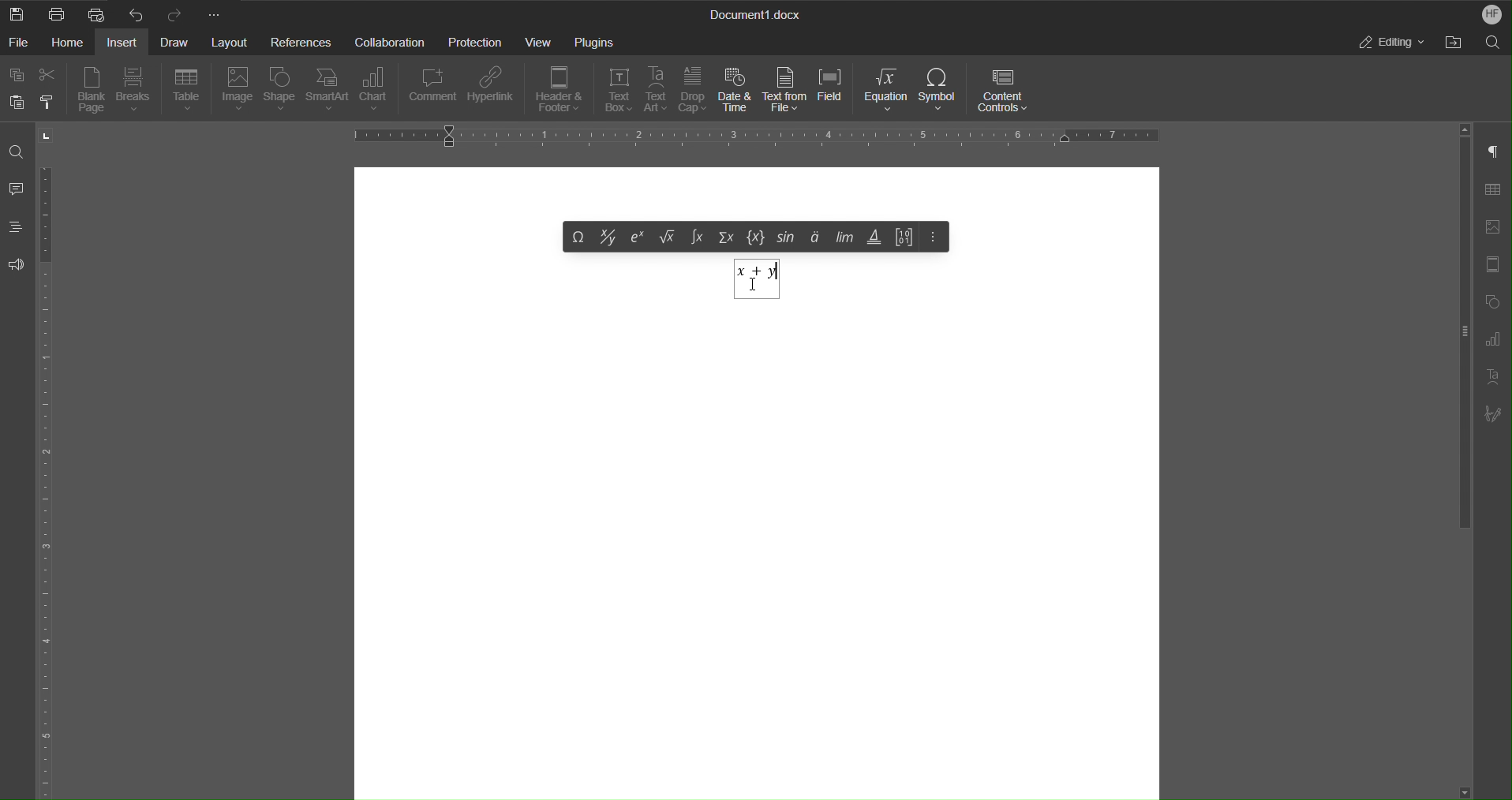  Describe the element at coordinates (174, 43) in the screenshot. I see `Draw` at that location.